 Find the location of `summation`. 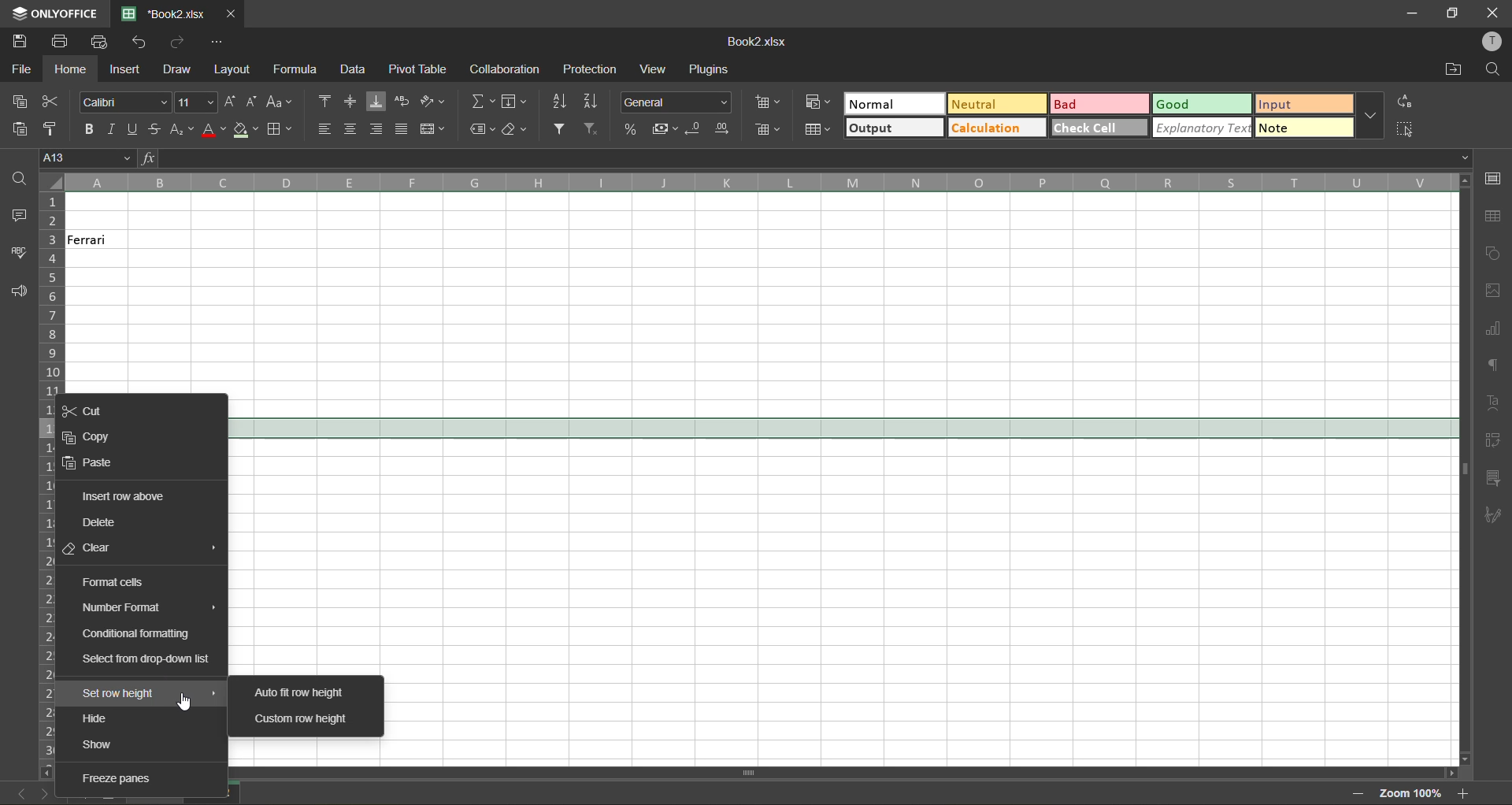

summation is located at coordinates (482, 101).